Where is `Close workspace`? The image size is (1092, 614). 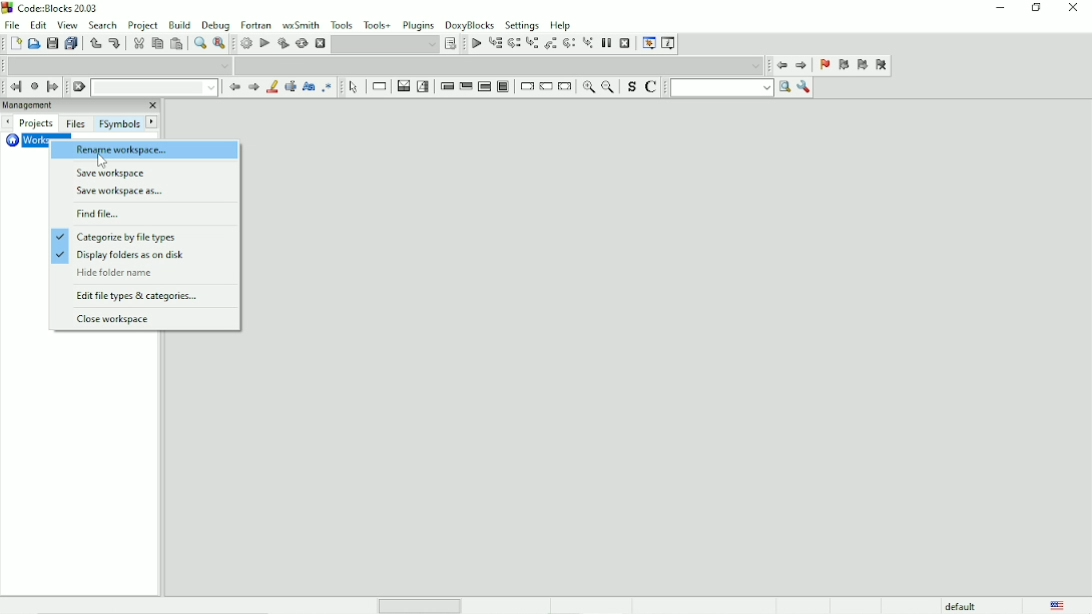
Close workspace is located at coordinates (118, 321).